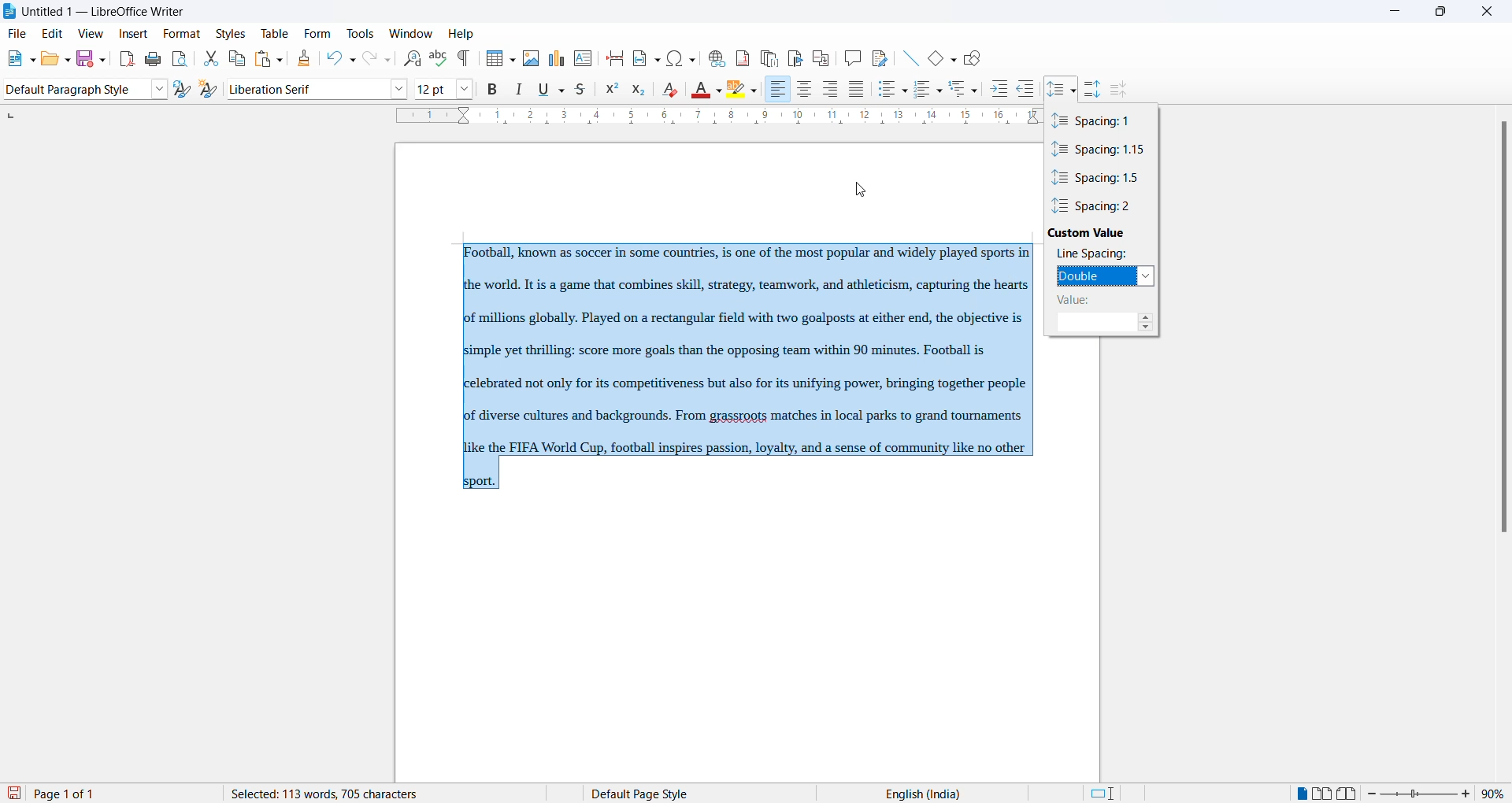  Describe the element at coordinates (134, 35) in the screenshot. I see `insert` at that location.